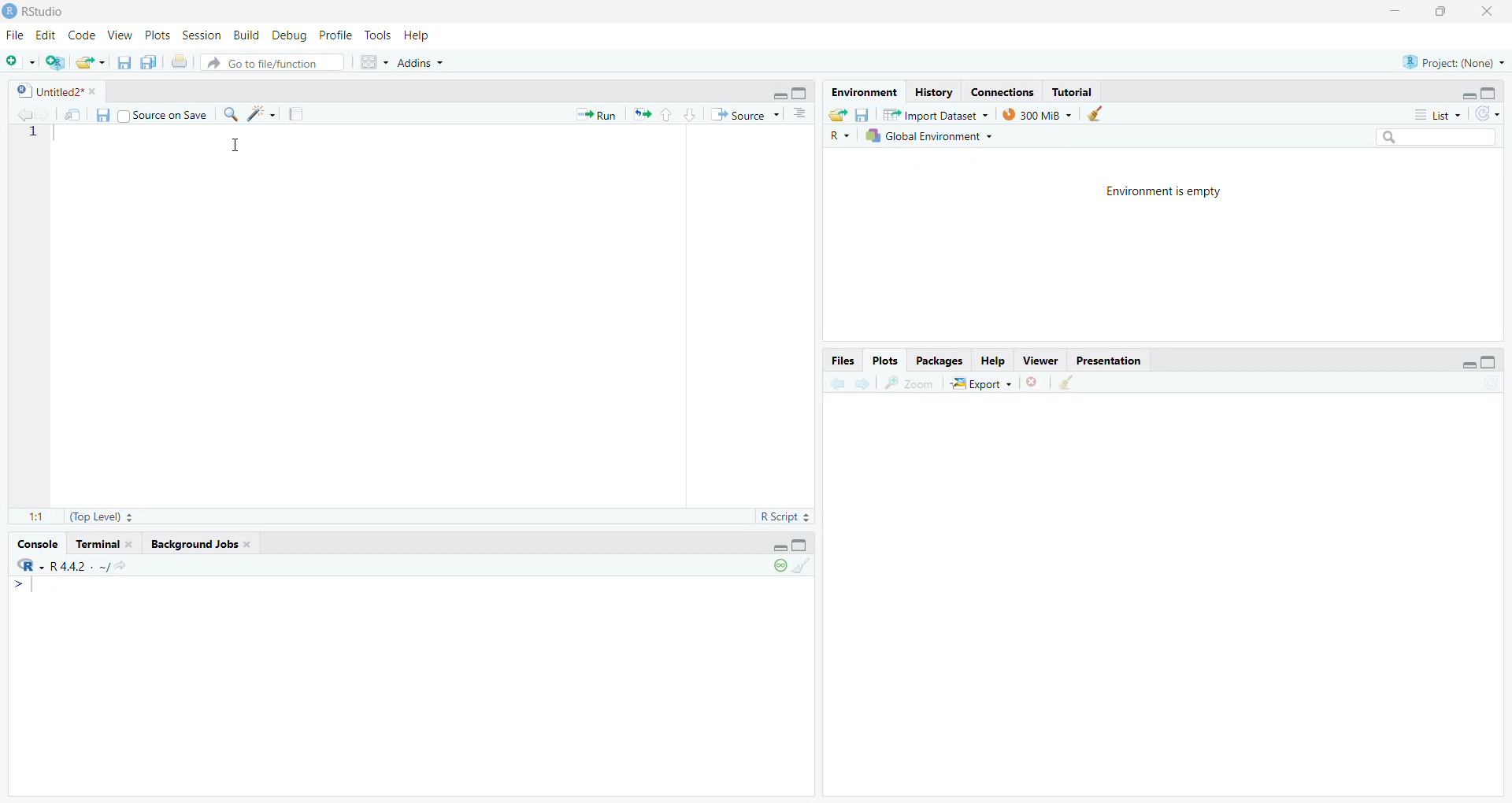  Describe the element at coordinates (1482, 13) in the screenshot. I see `close` at that location.